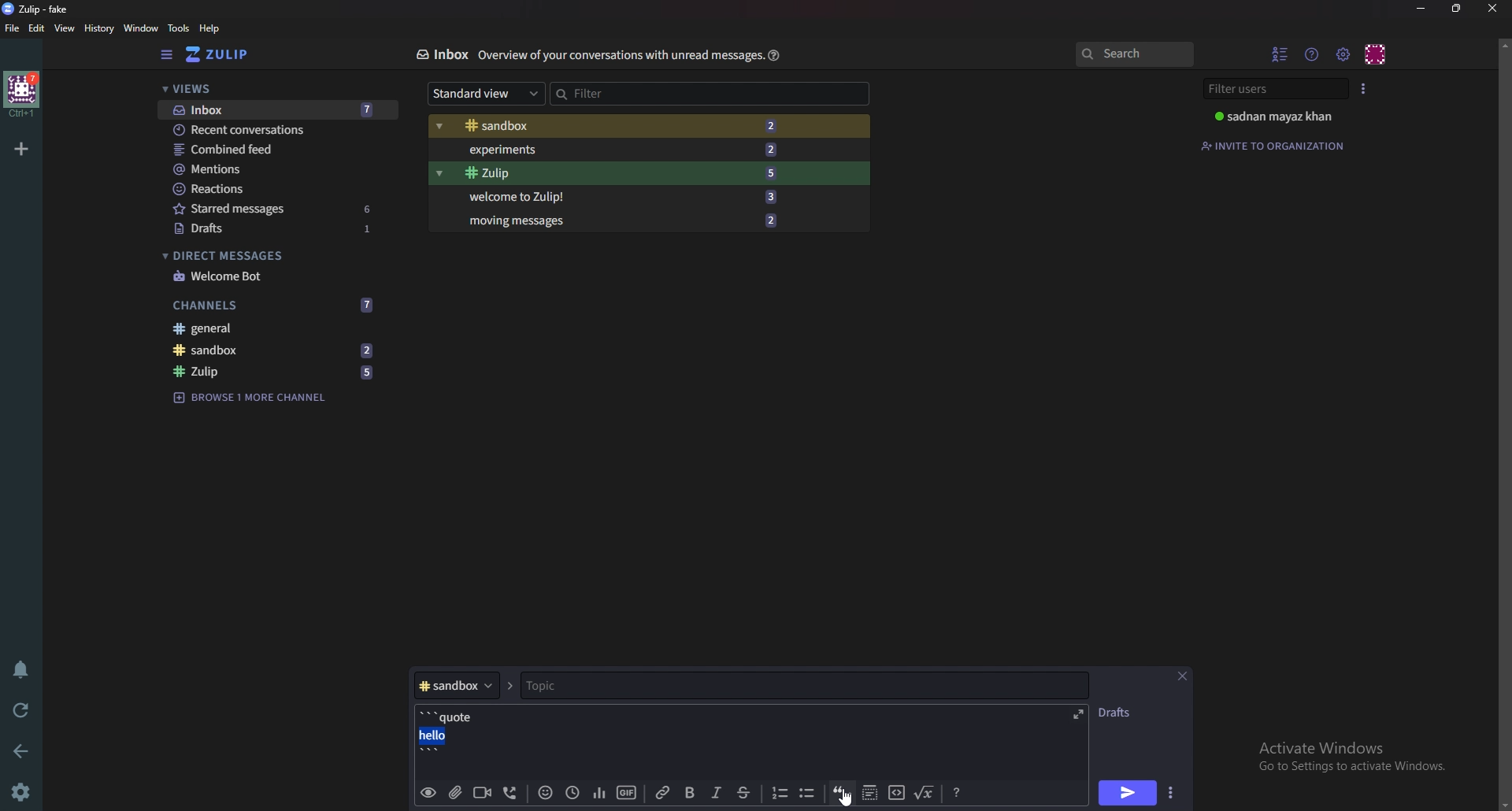  What do you see at coordinates (228, 371) in the screenshot?
I see `# zulip` at bounding box center [228, 371].